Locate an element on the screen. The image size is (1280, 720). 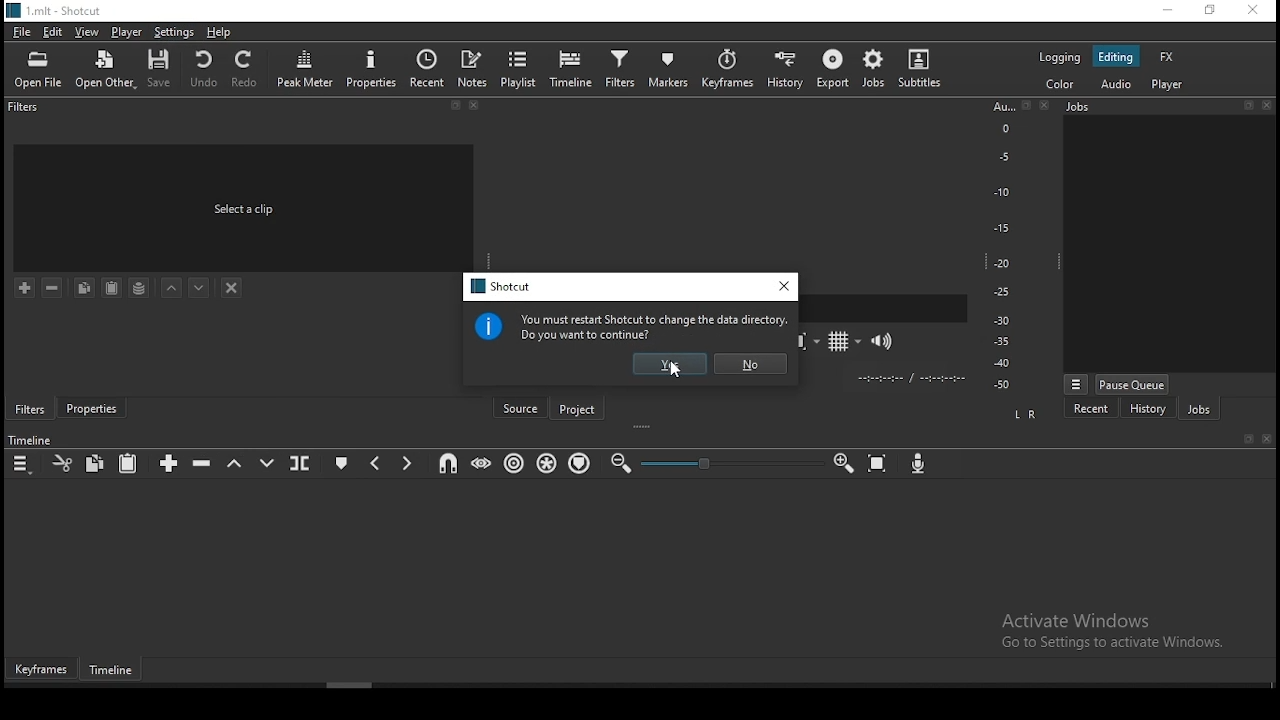
shotcut is located at coordinates (499, 286).